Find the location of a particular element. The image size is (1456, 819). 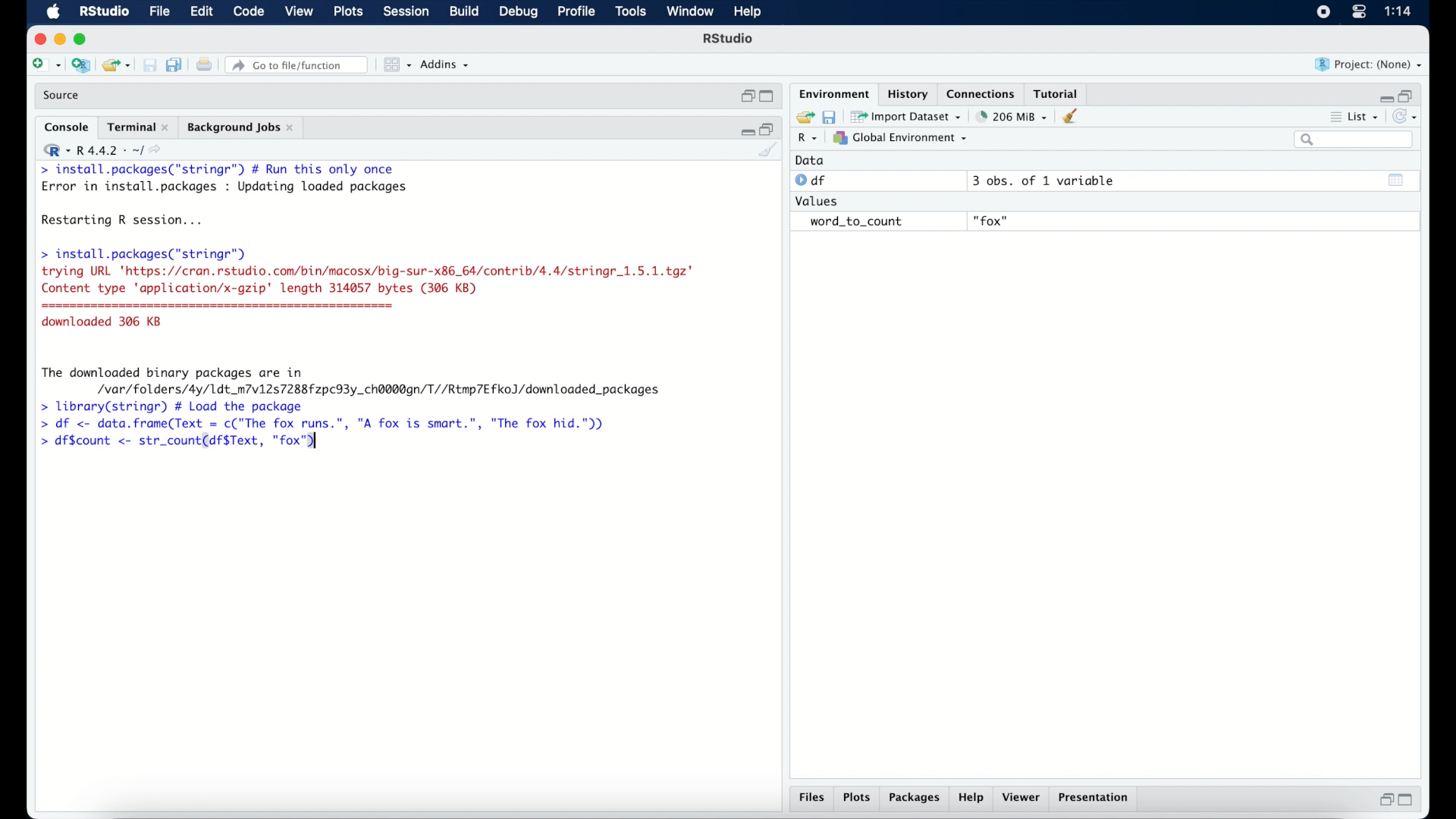

maximize is located at coordinates (769, 97).